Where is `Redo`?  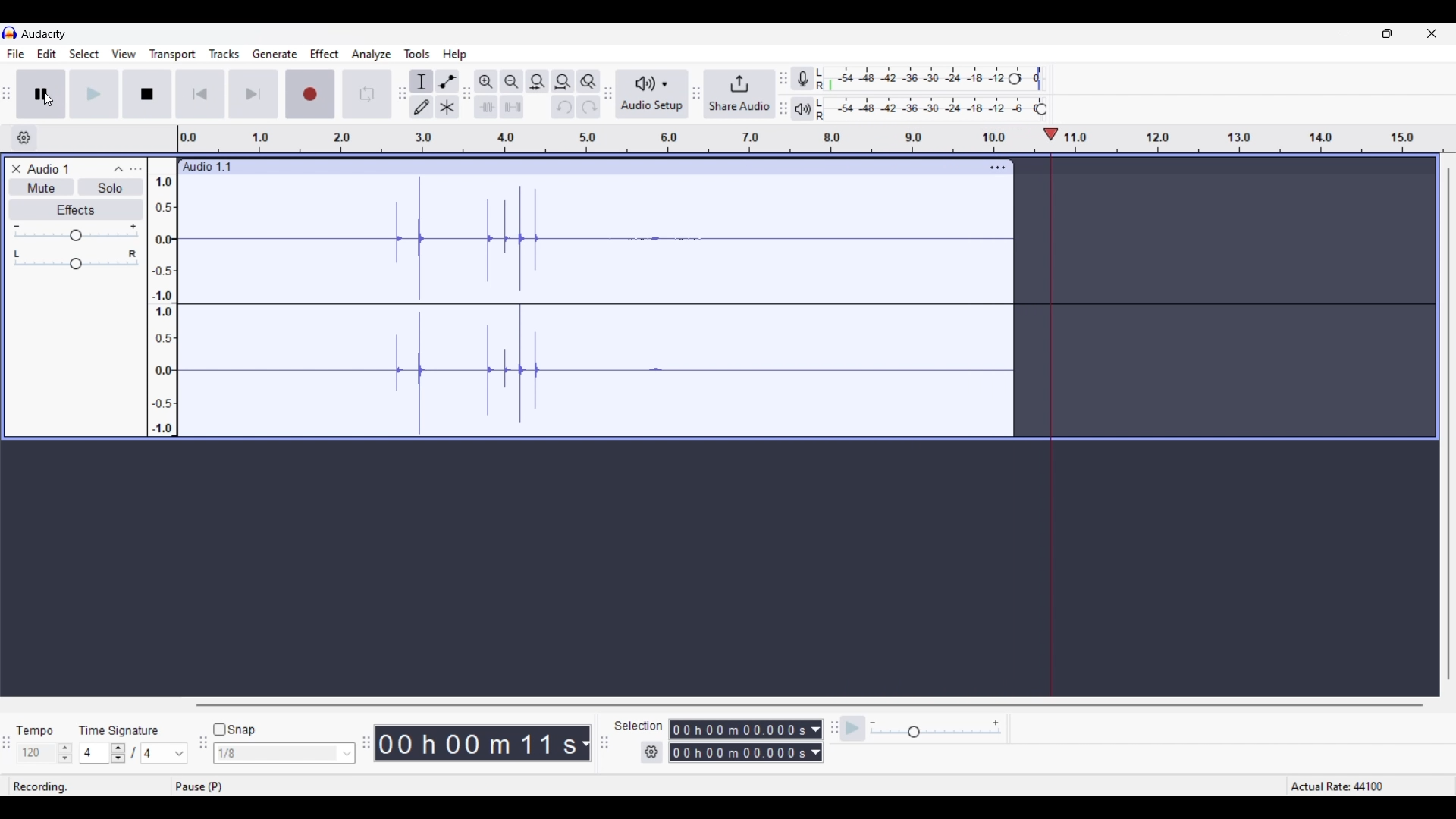 Redo is located at coordinates (588, 107).